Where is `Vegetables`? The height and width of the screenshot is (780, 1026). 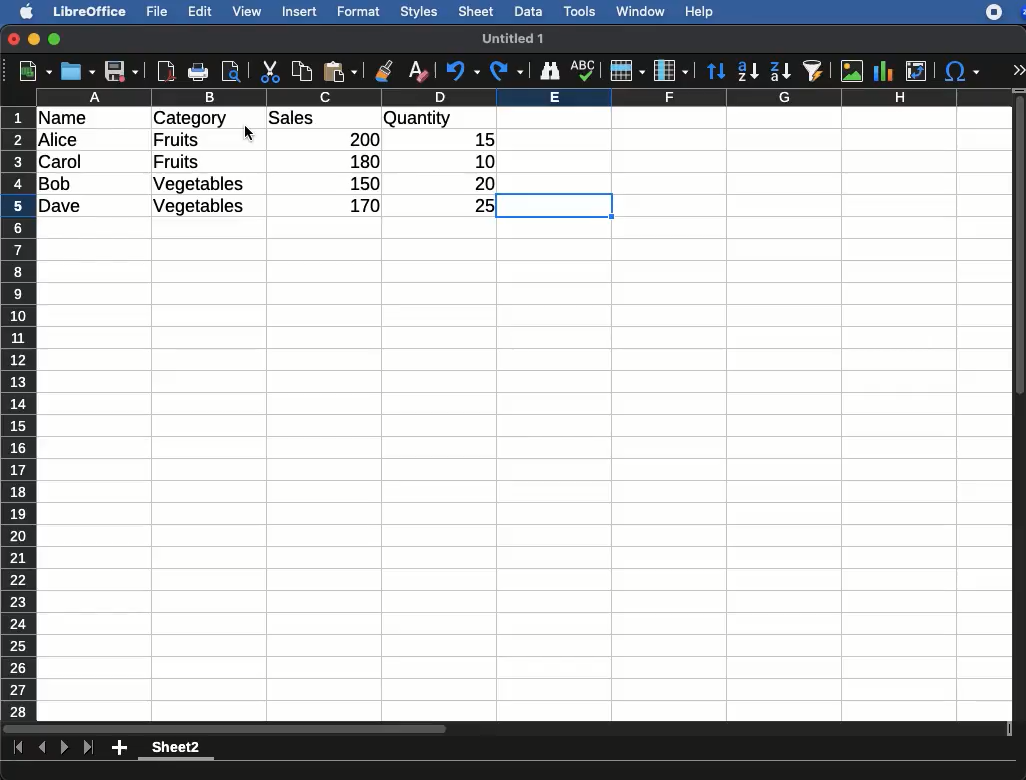 Vegetables is located at coordinates (200, 185).